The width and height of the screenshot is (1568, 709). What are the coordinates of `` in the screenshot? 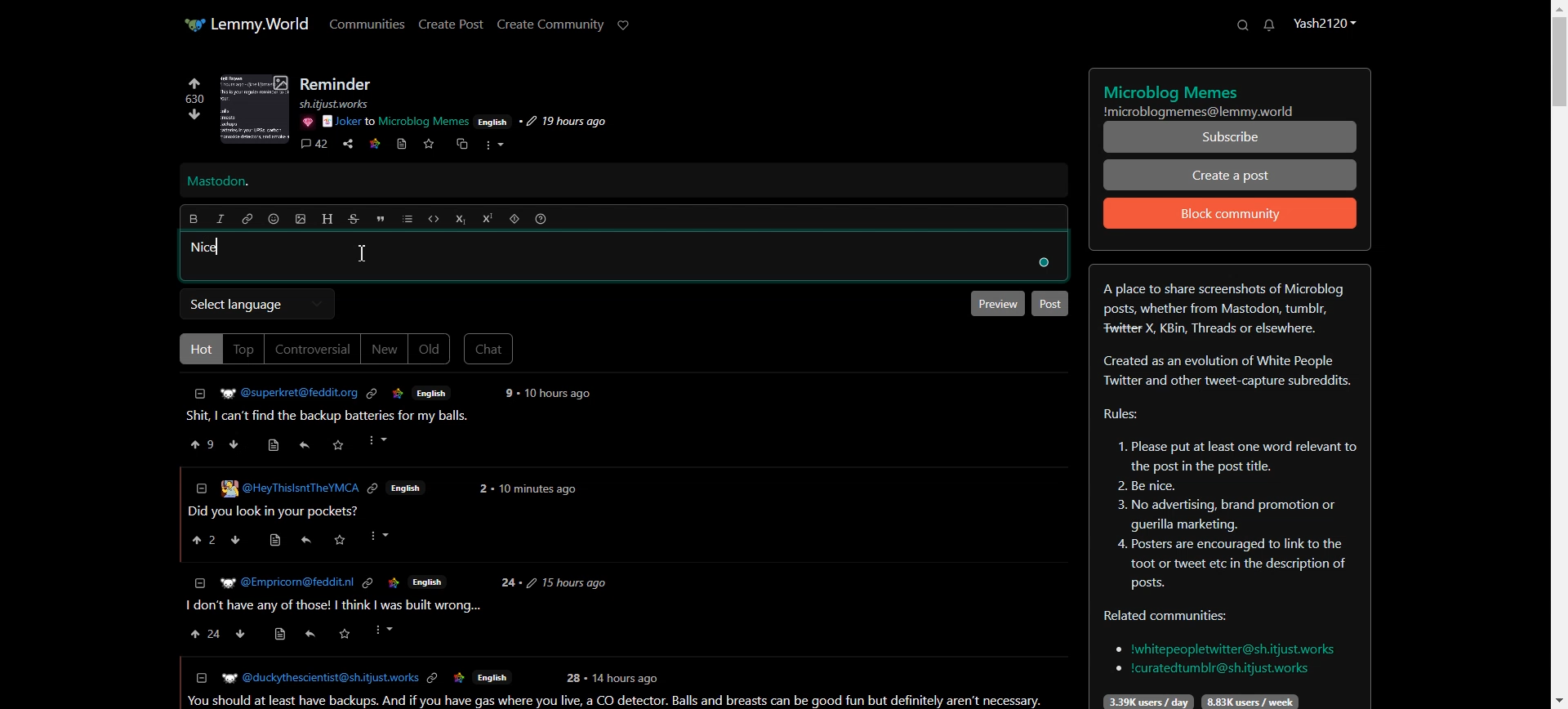 It's located at (572, 678).